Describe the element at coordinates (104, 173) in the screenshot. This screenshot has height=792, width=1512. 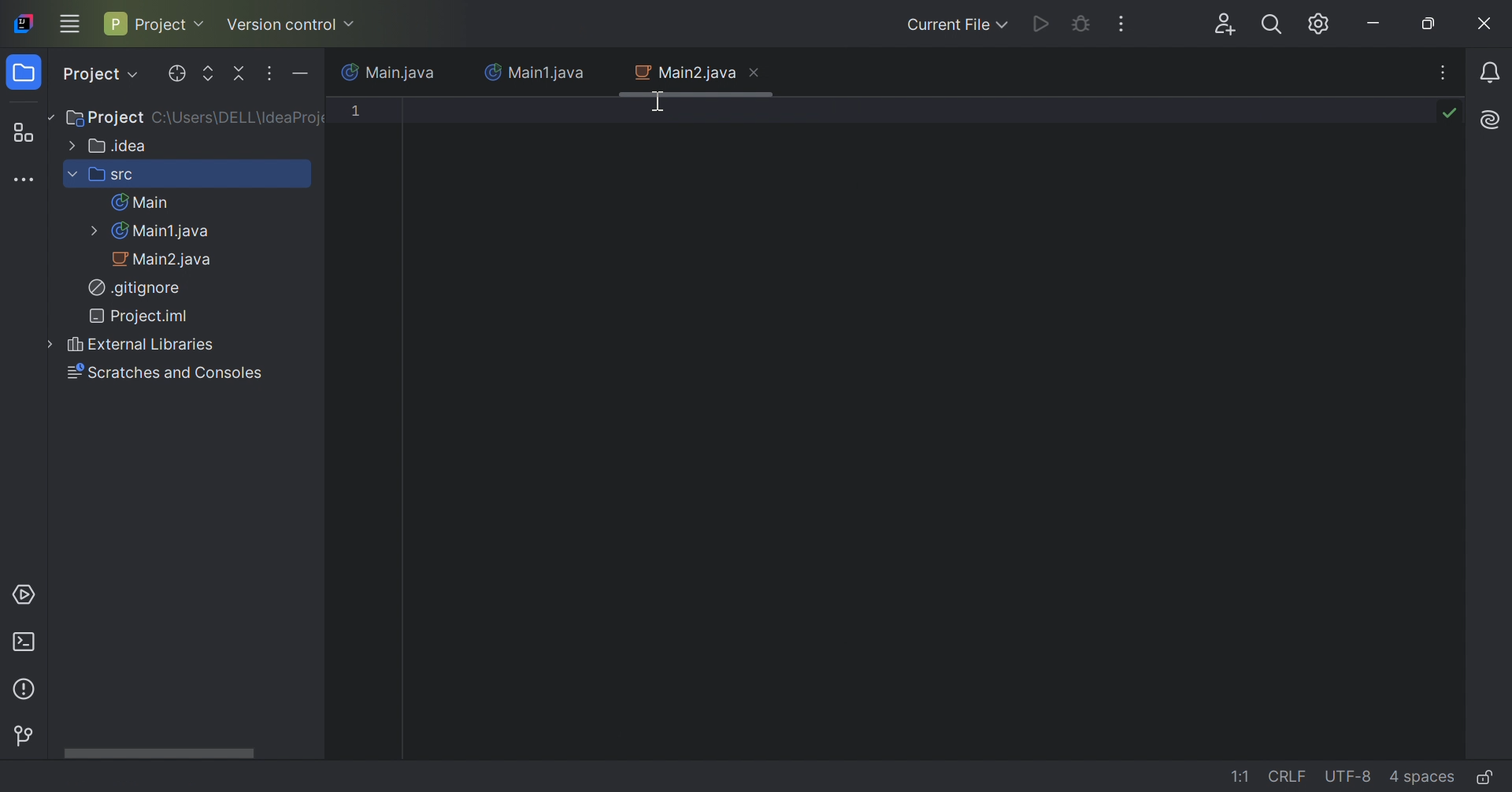
I see `src` at that location.